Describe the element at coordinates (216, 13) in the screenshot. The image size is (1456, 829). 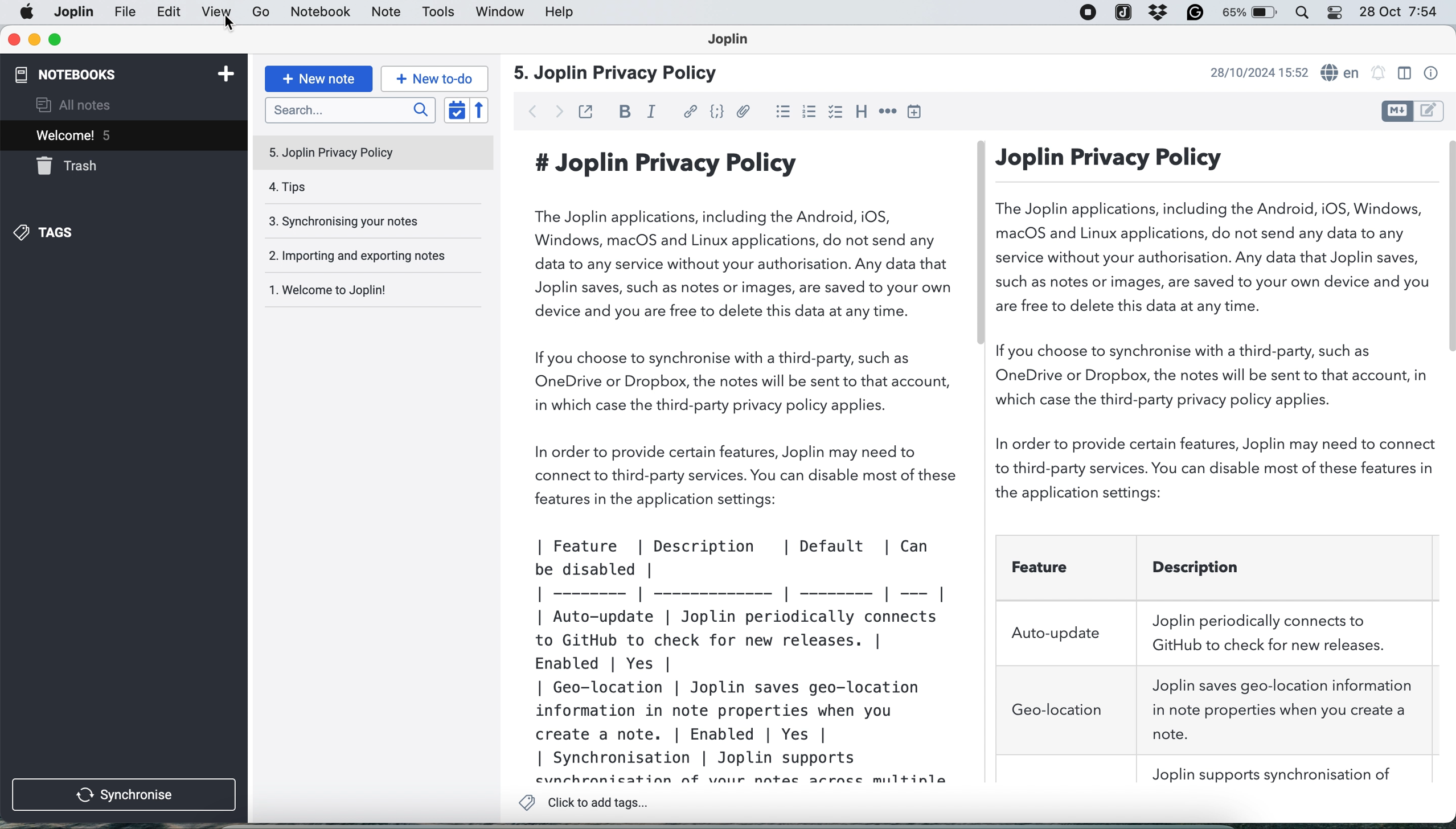
I see `view` at that location.